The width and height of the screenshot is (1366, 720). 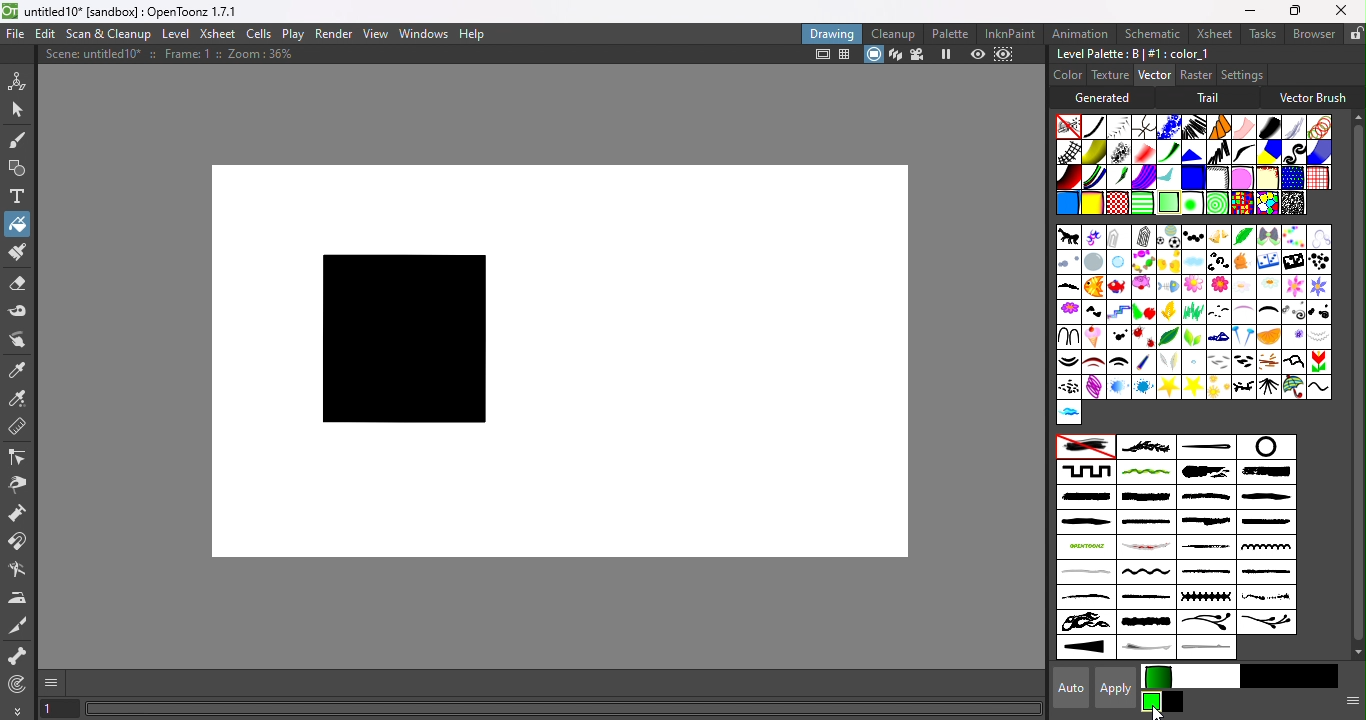 What do you see at coordinates (1143, 337) in the screenshot?
I see `ladybird` at bounding box center [1143, 337].